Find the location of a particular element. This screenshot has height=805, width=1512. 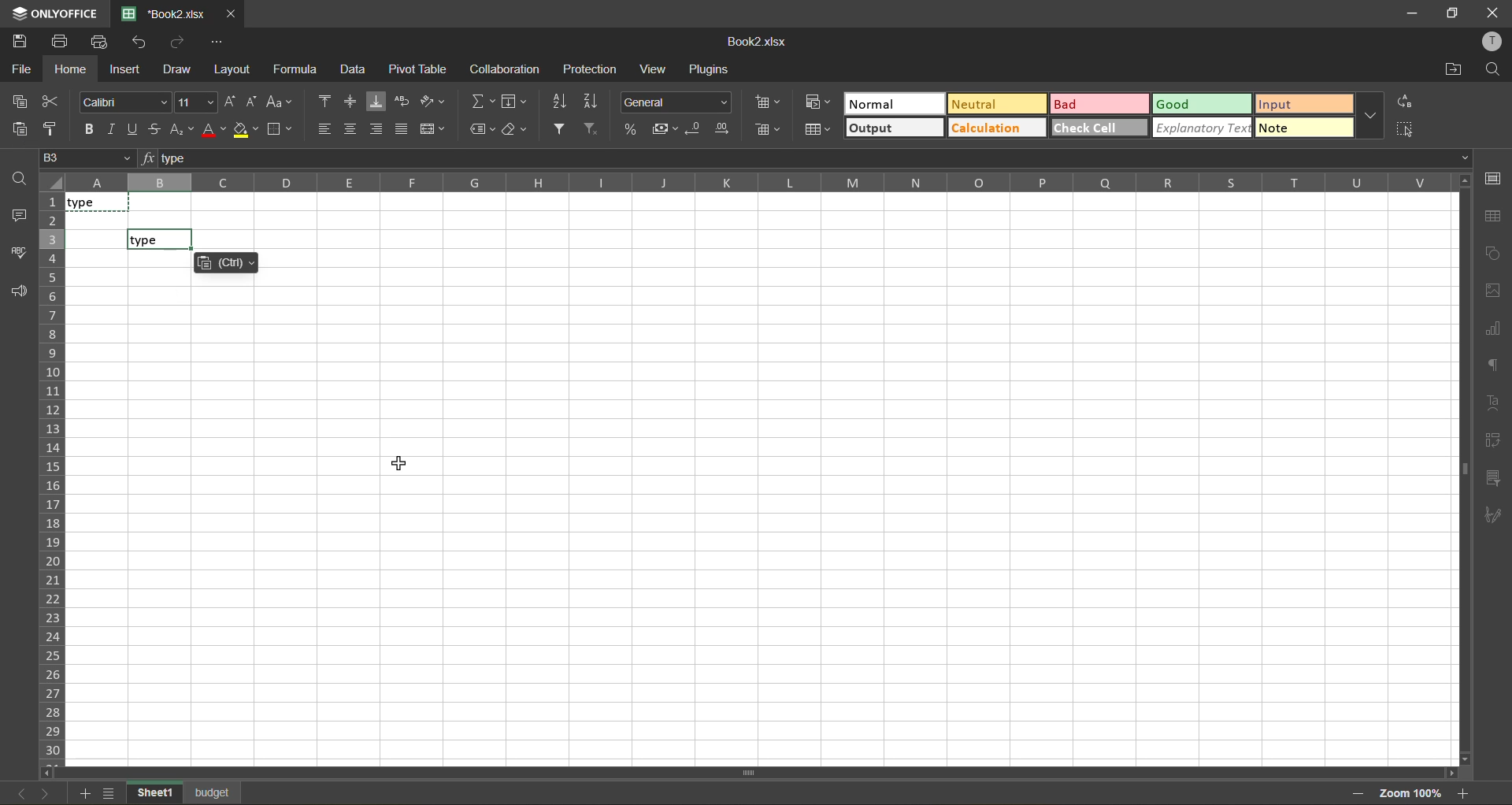

note is located at coordinates (1304, 128).